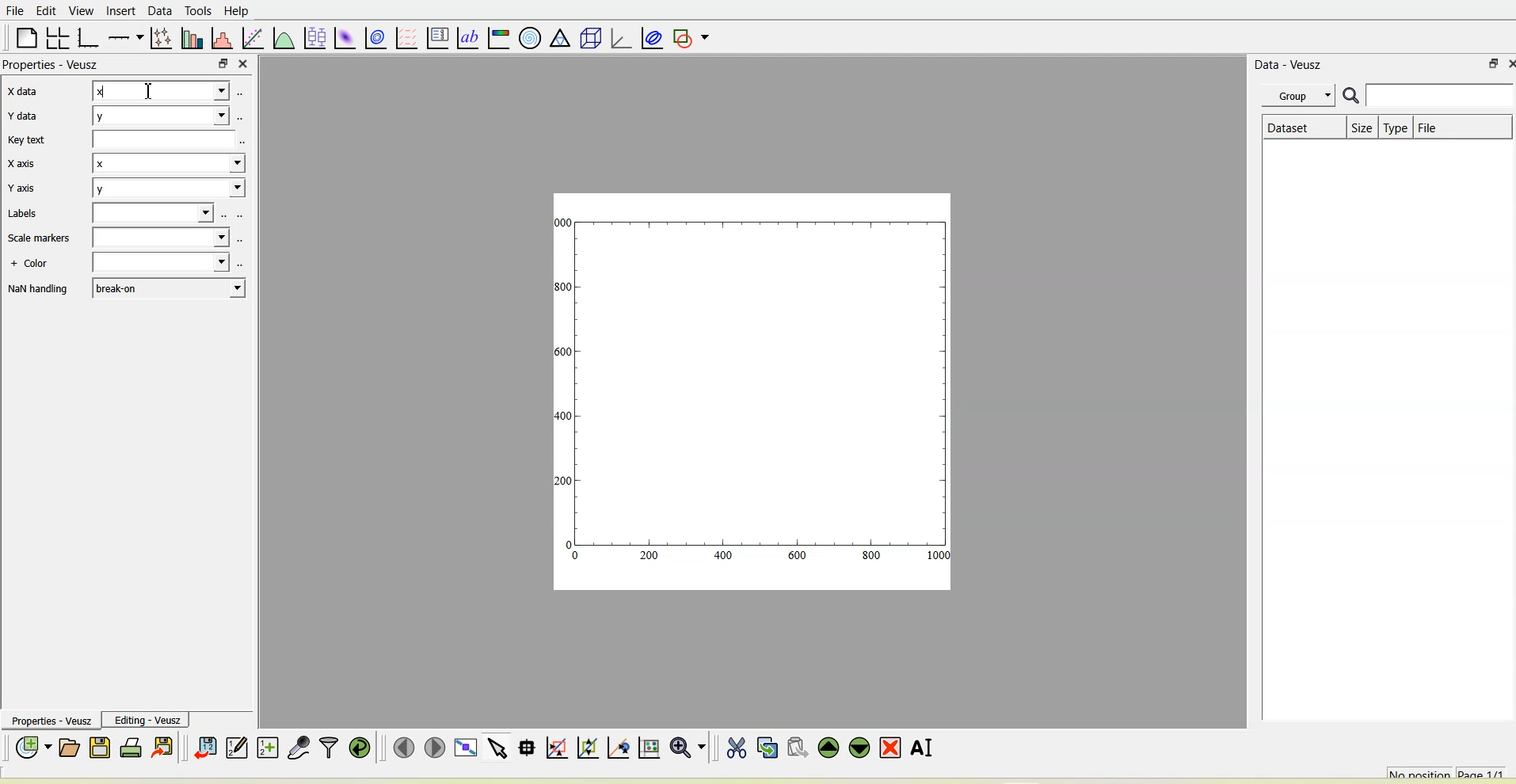  Describe the element at coordinates (222, 39) in the screenshot. I see `Histogram of a dataset` at that location.